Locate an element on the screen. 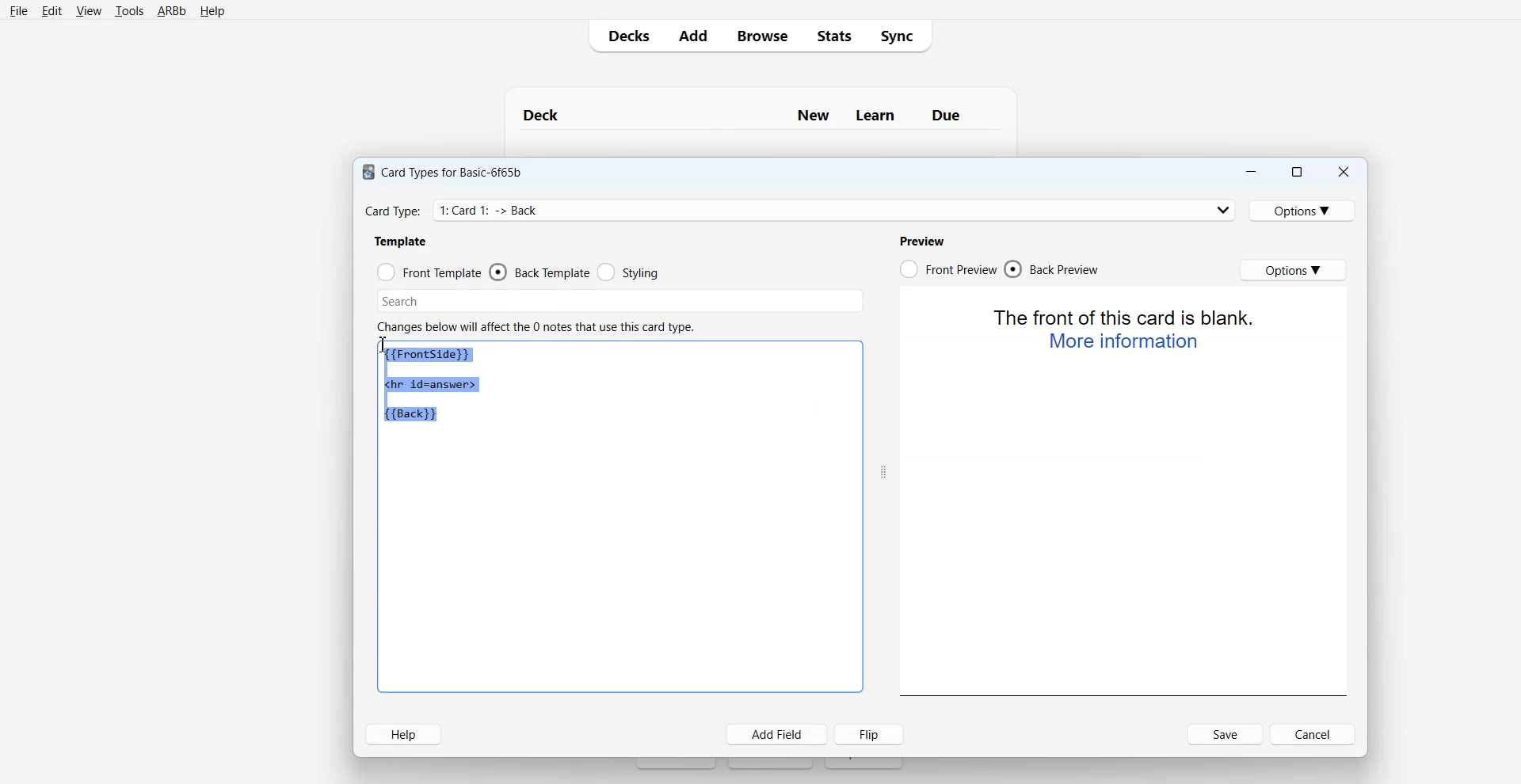 The width and height of the screenshot is (1521, 784). Text 4 is located at coordinates (925, 239).